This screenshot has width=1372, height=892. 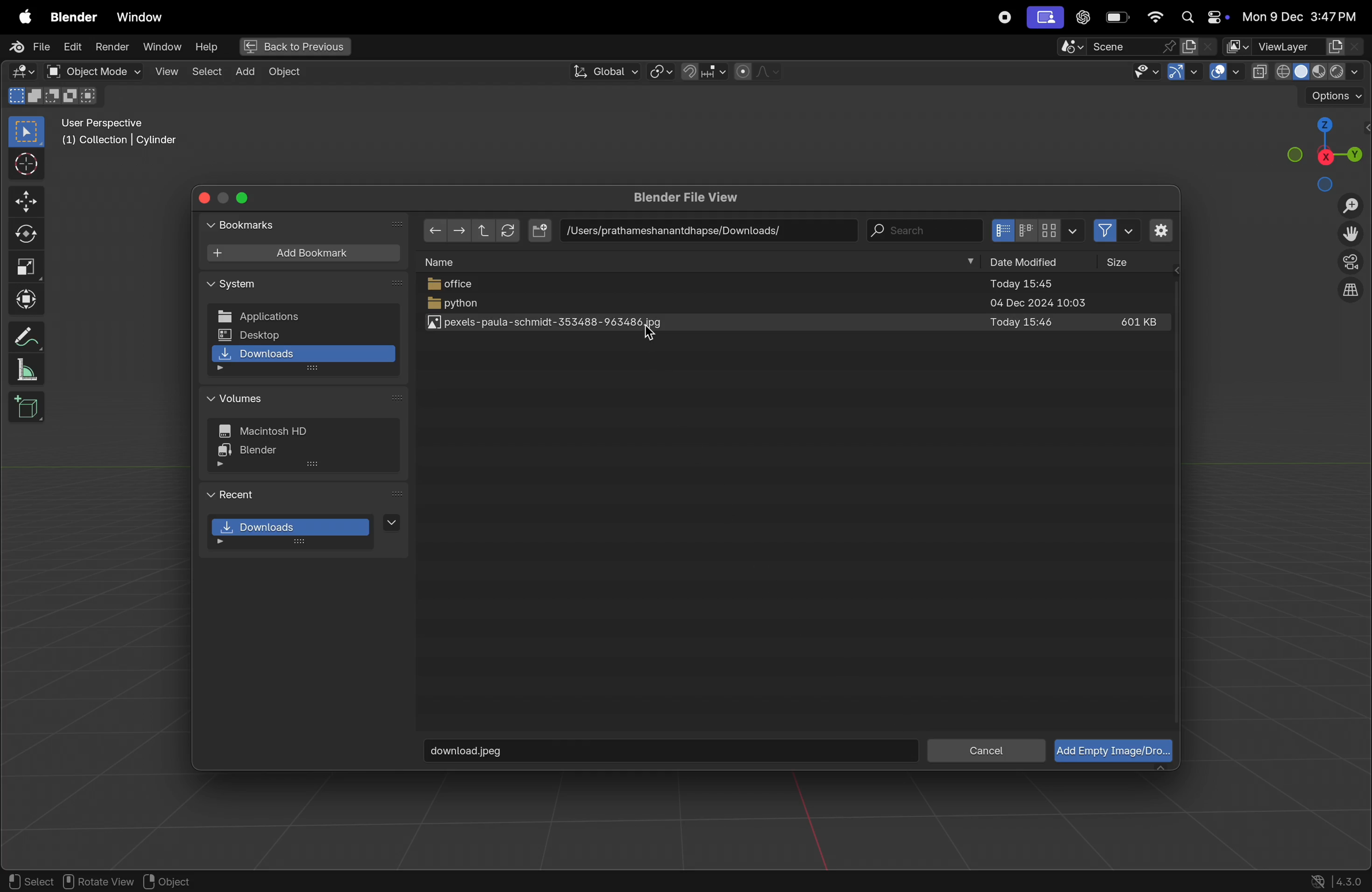 I want to click on Blender, so click(x=70, y=14).